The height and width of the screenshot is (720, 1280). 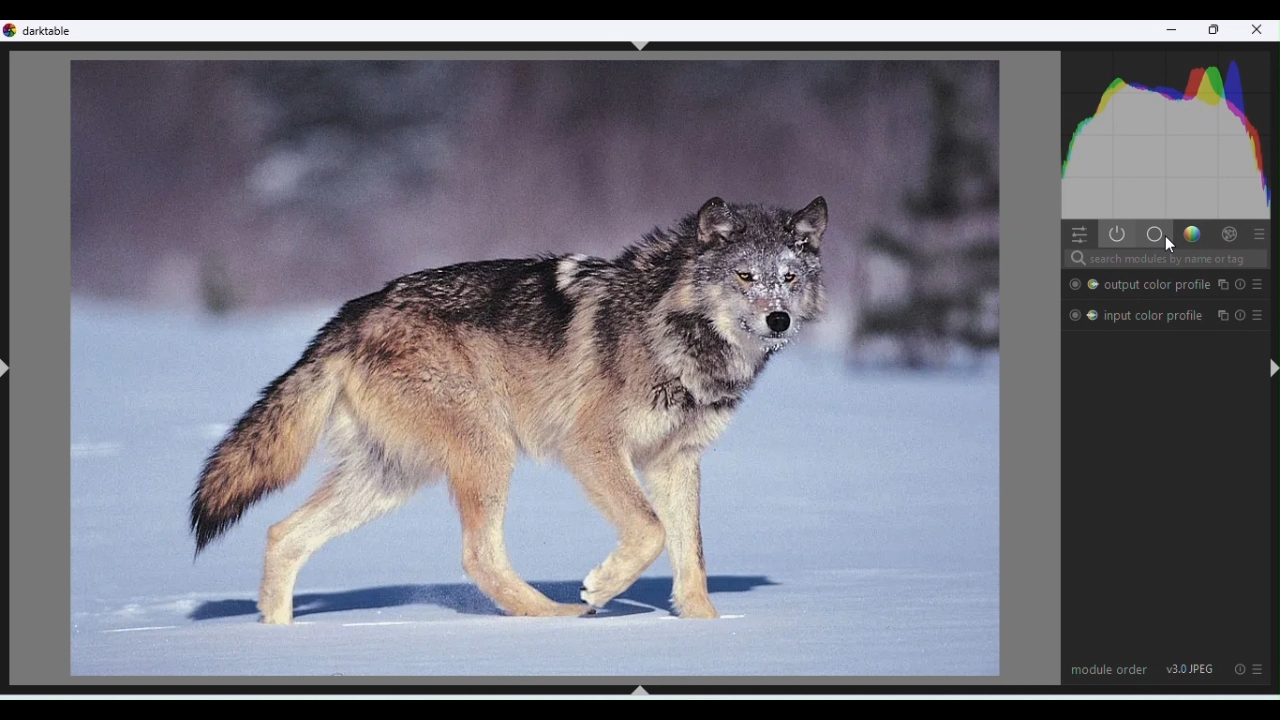 I want to click on Quick access, so click(x=1077, y=233).